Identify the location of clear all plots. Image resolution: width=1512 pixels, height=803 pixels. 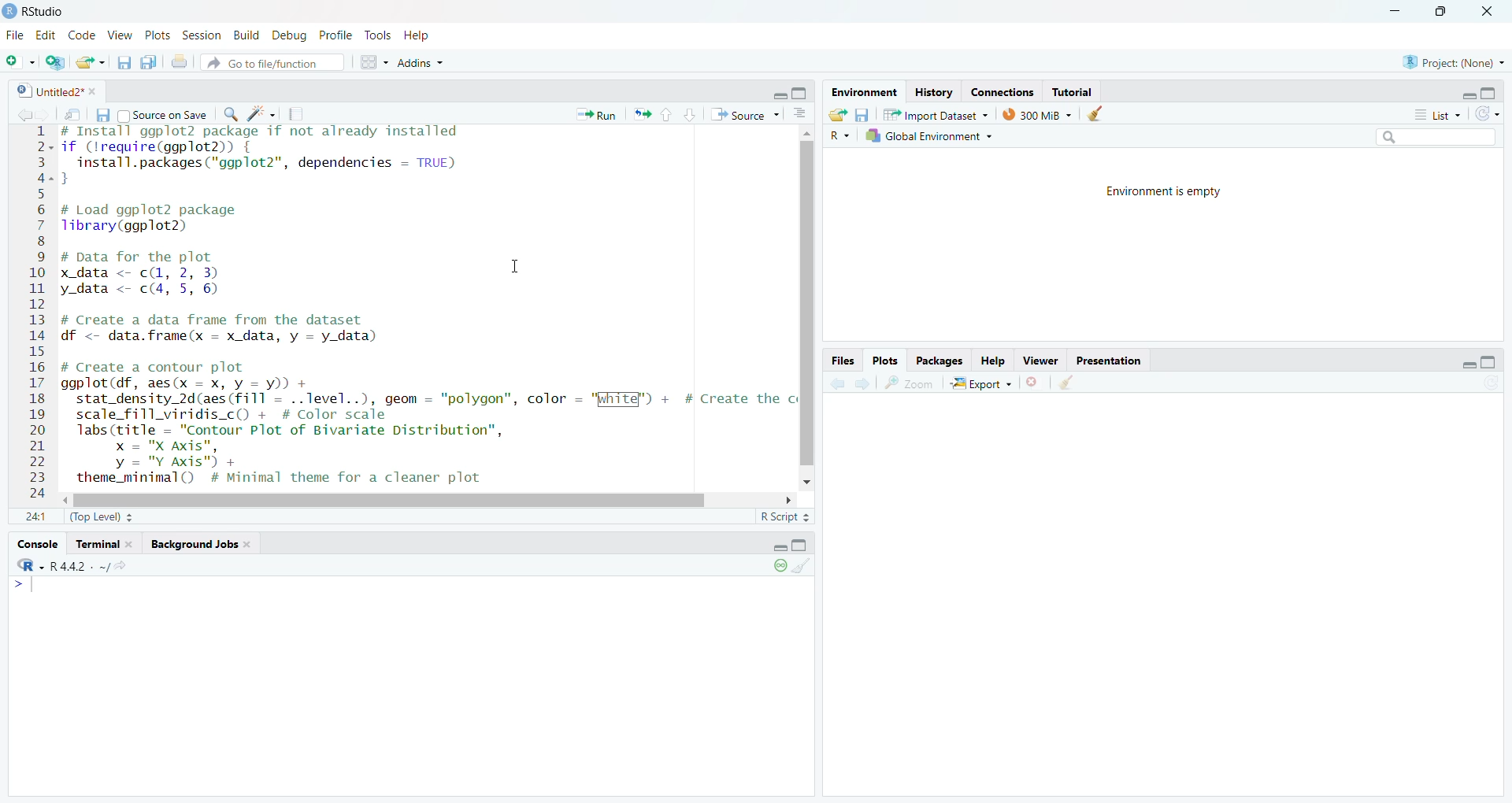
(1069, 383).